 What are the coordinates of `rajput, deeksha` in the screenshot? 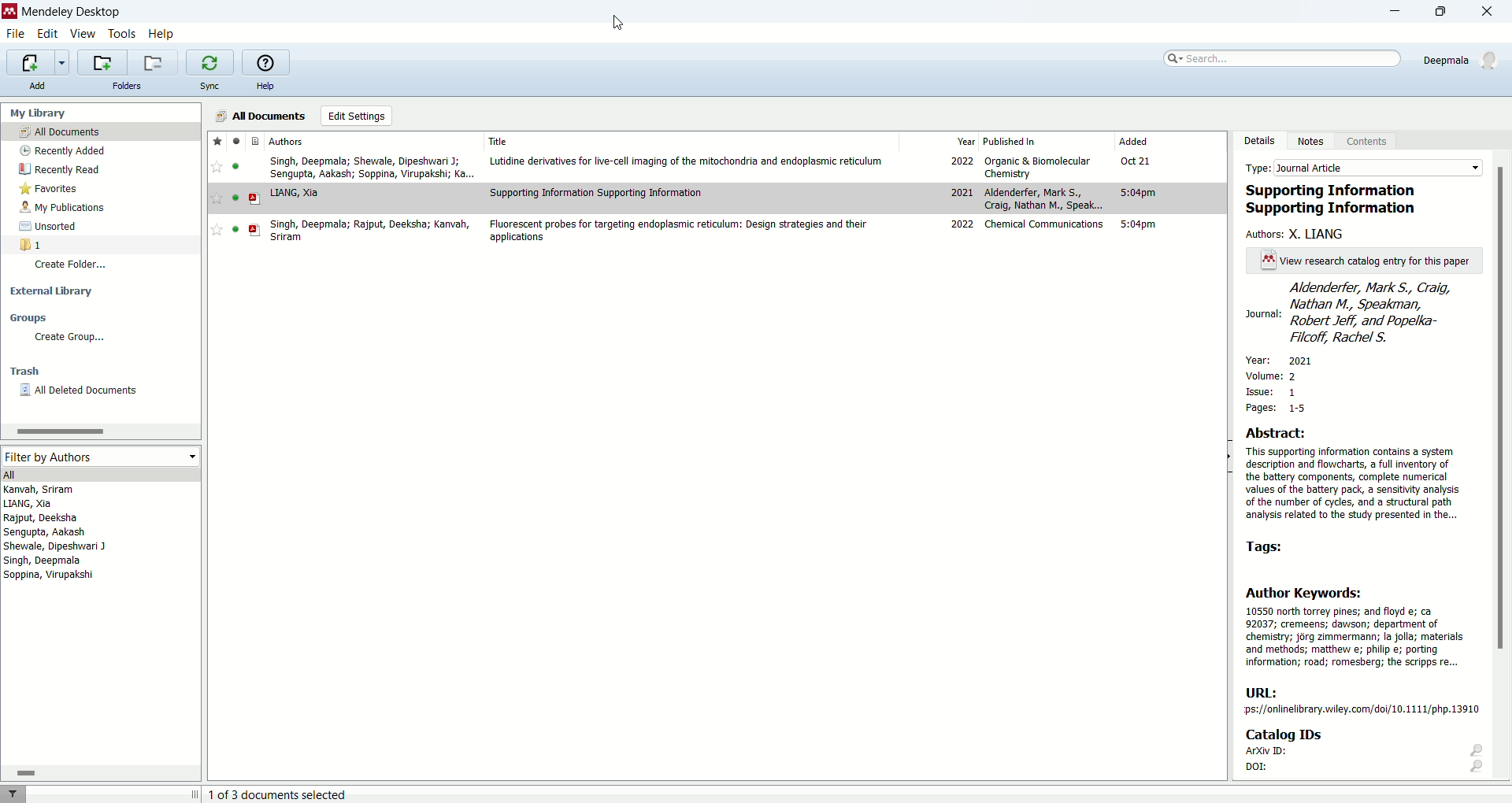 It's located at (42, 518).